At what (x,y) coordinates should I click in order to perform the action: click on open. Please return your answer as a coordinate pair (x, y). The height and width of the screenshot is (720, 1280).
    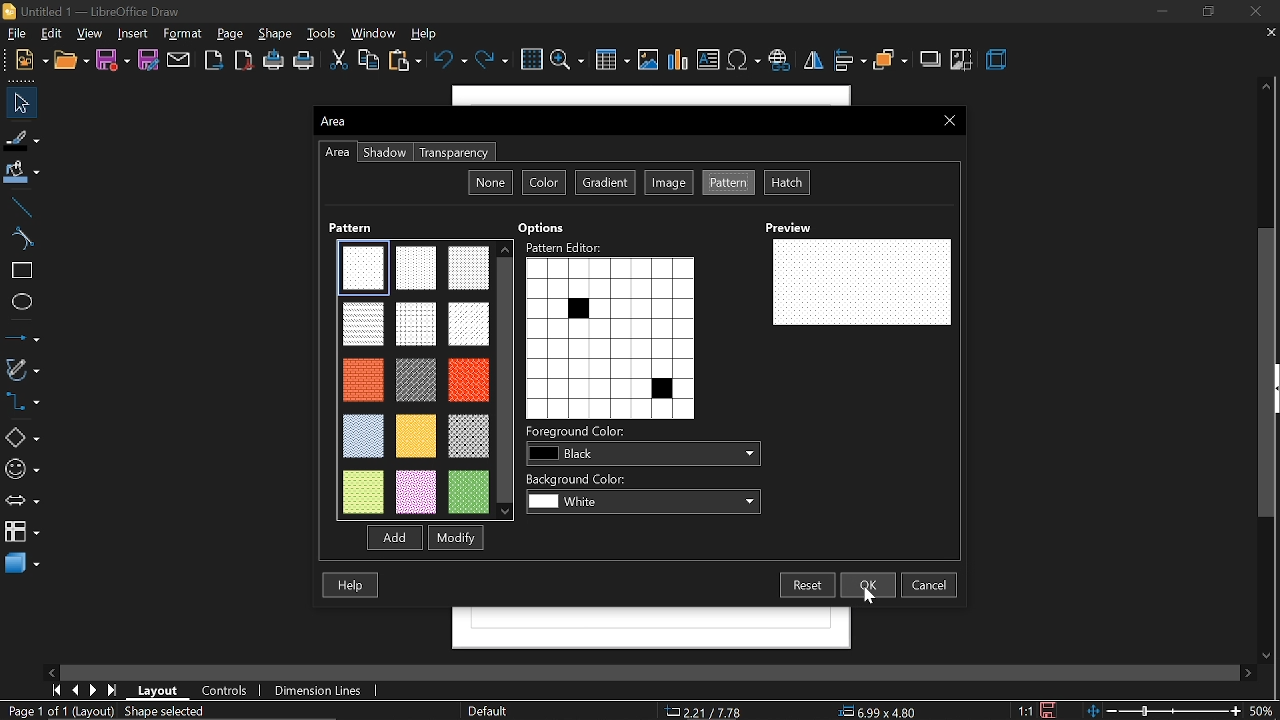
    Looking at the image, I should click on (72, 60).